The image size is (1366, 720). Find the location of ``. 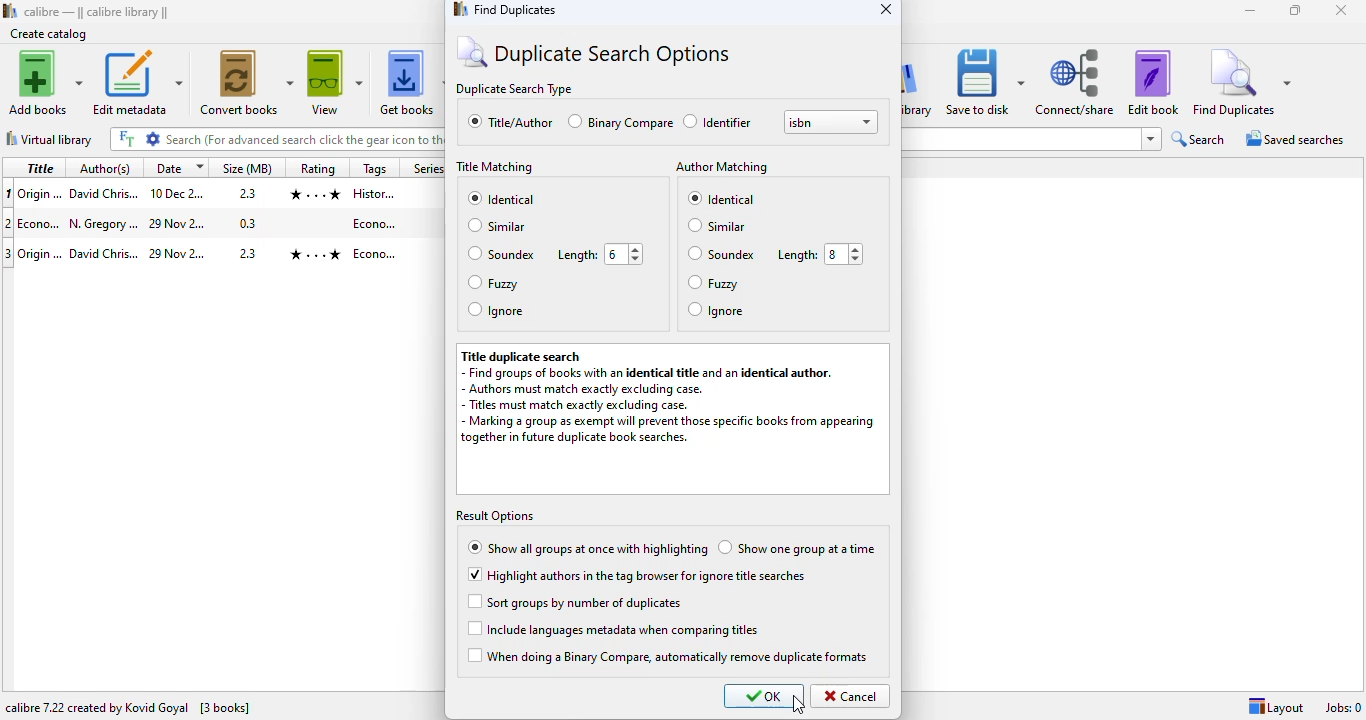

 is located at coordinates (425, 168).